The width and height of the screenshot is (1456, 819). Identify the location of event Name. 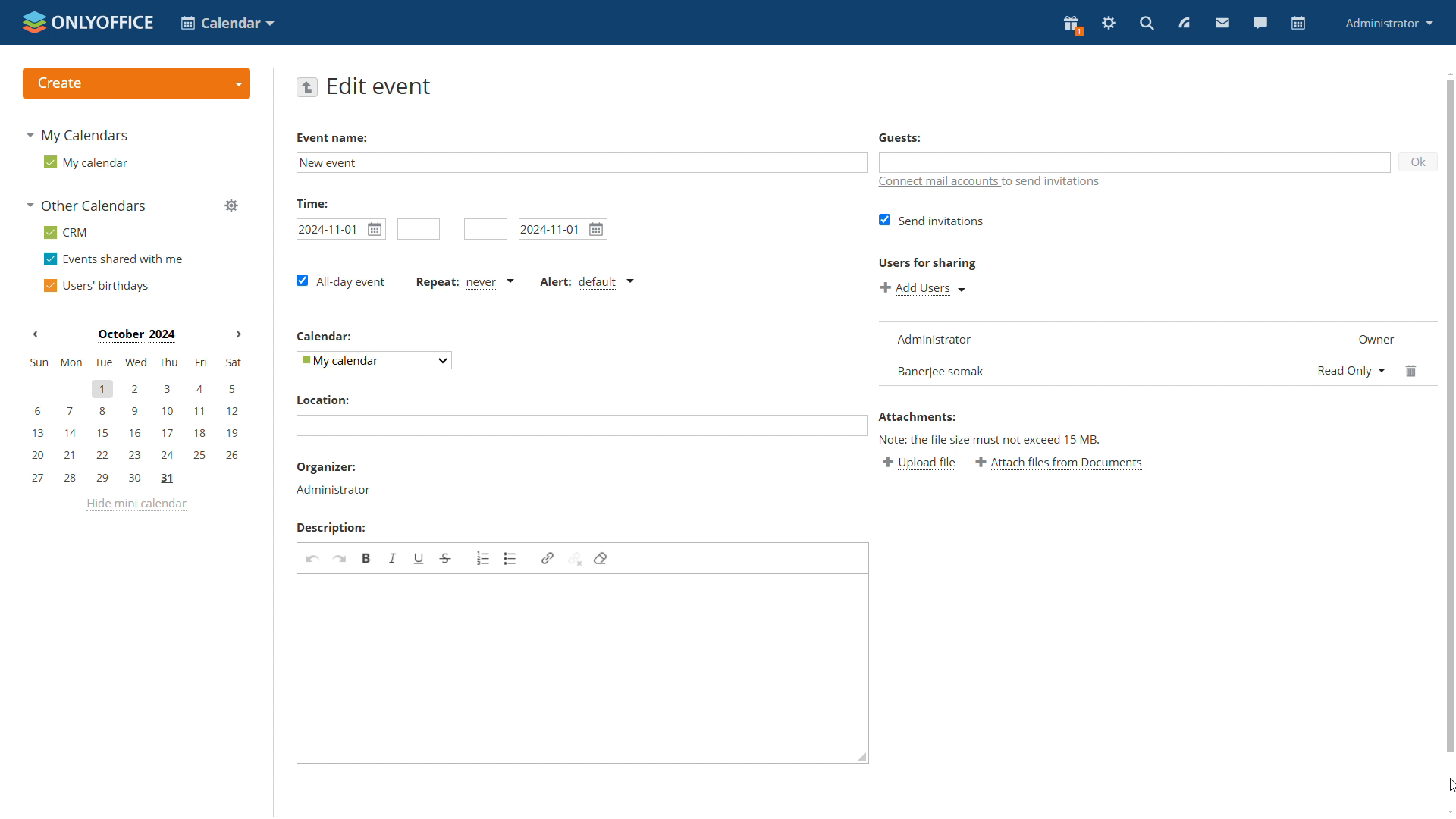
(334, 140).